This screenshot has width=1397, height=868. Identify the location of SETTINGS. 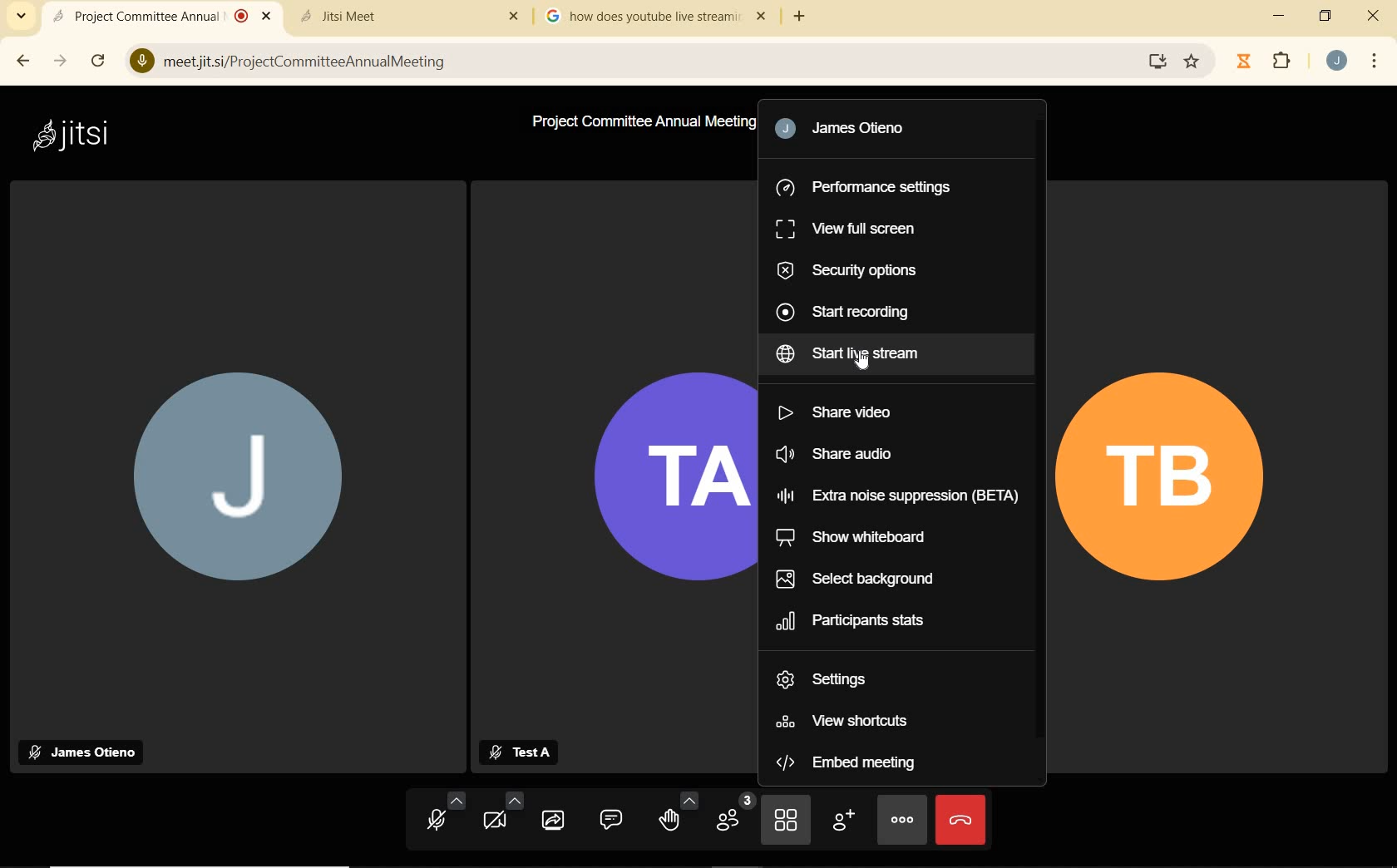
(824, 677).